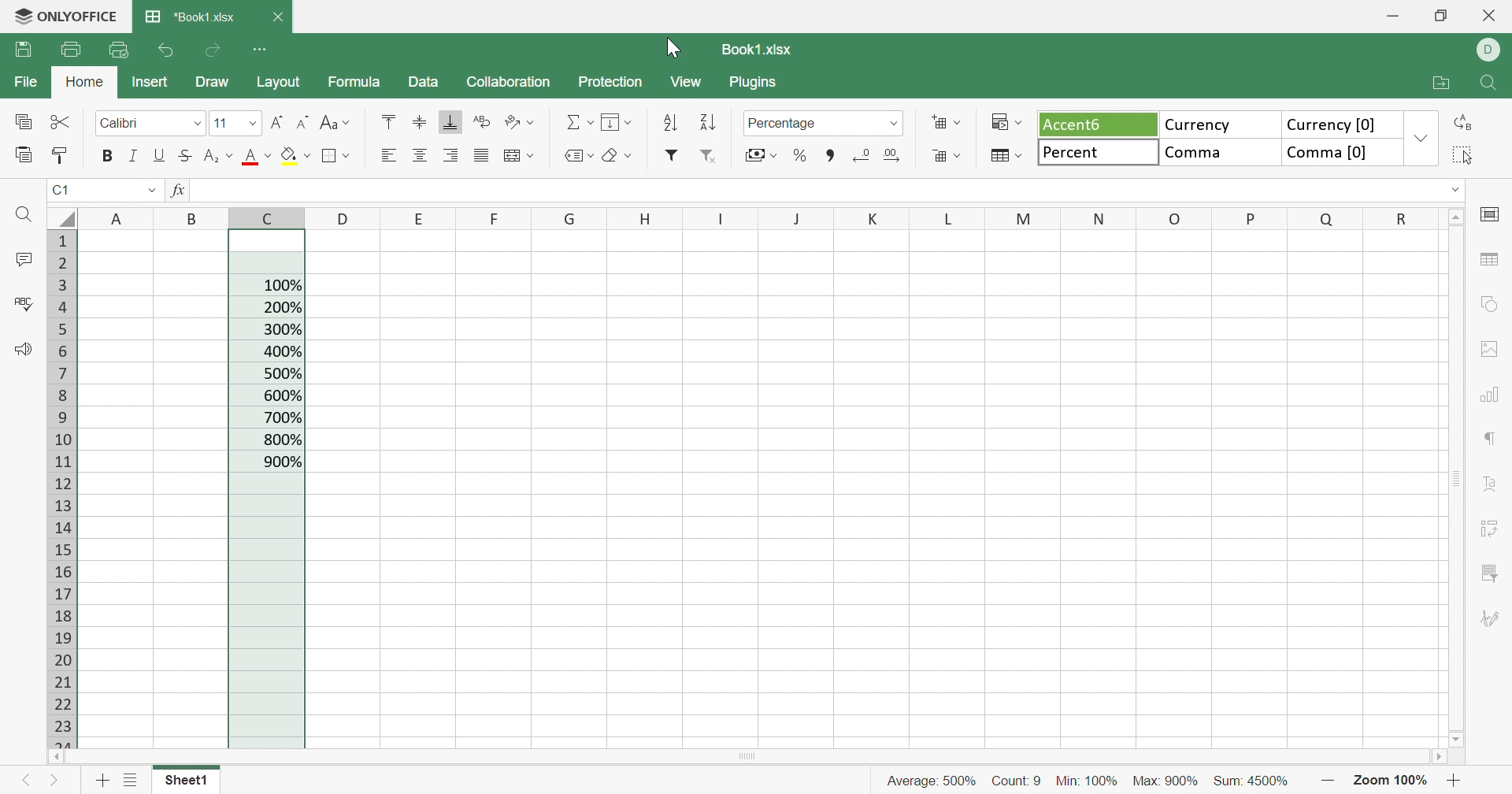 Image resolution: width=1512 pixels, height=794 pixels. I want to click on Find, so click(21, 215).